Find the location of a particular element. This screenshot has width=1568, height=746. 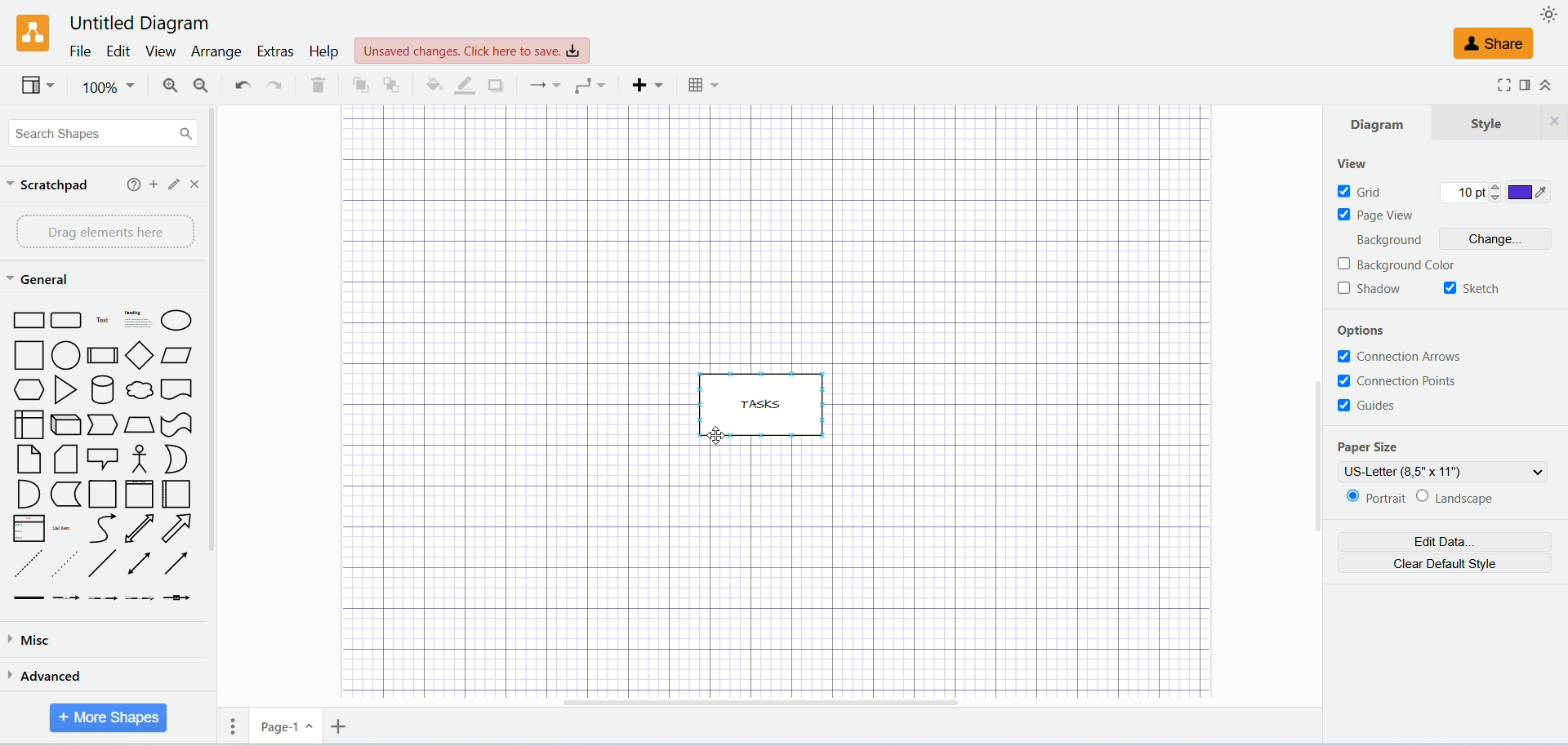

Rectangle is located at coordinates (26, 318).